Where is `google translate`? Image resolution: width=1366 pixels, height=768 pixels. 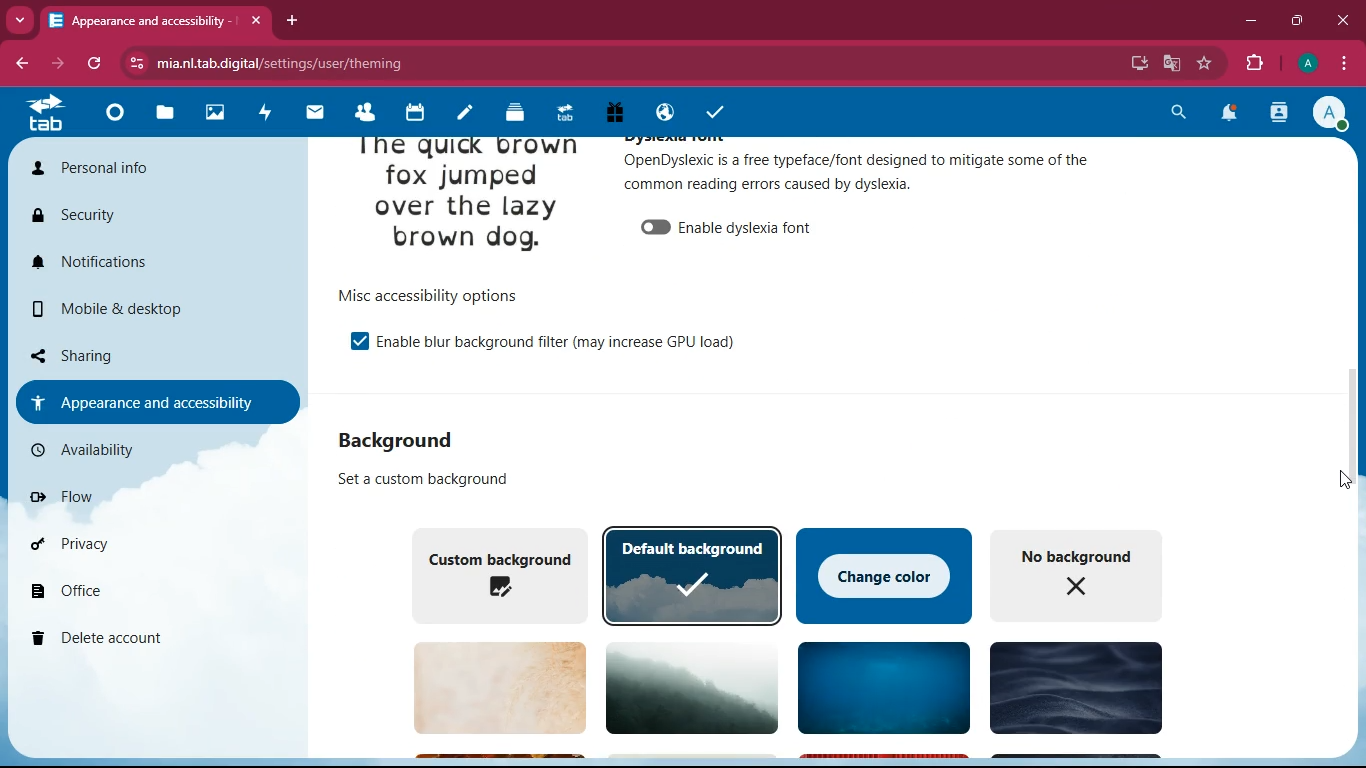 google translate is located at coordinates (1170, 63).